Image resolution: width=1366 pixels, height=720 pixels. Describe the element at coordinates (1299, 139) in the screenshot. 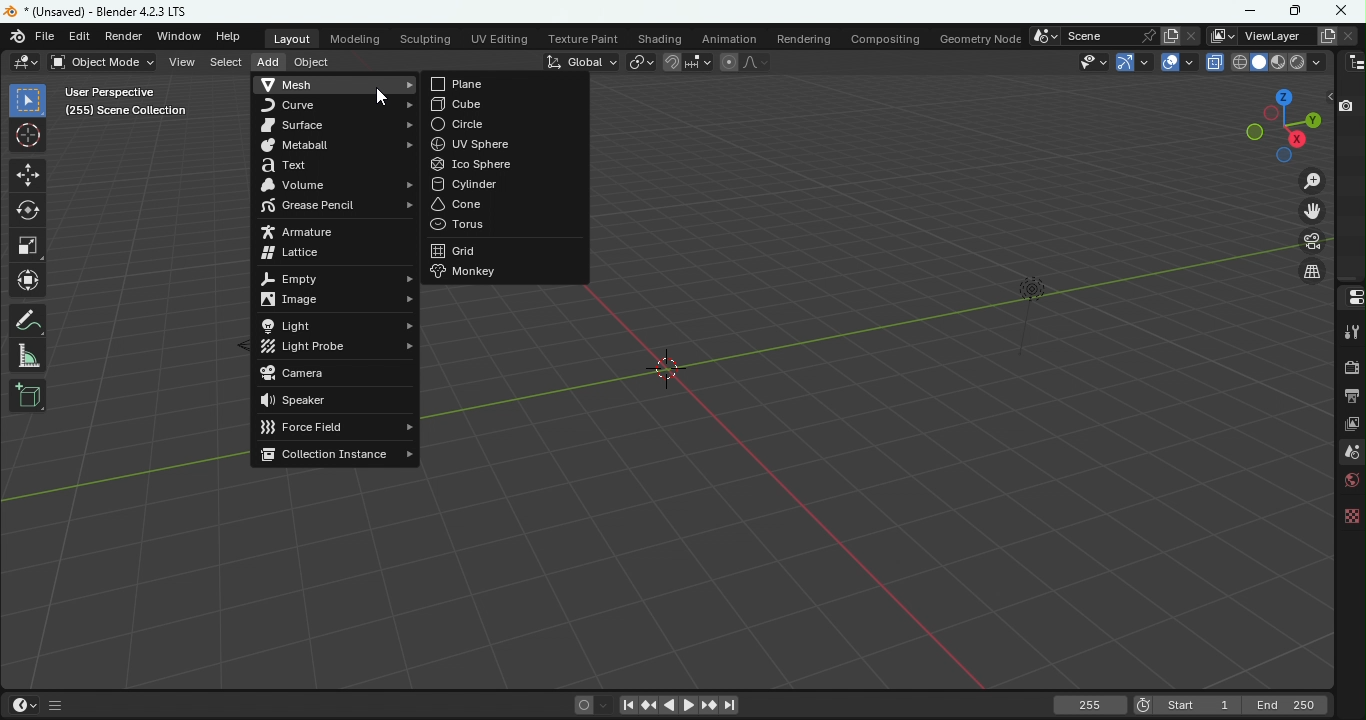

I see `Rotate the scene` at that location.